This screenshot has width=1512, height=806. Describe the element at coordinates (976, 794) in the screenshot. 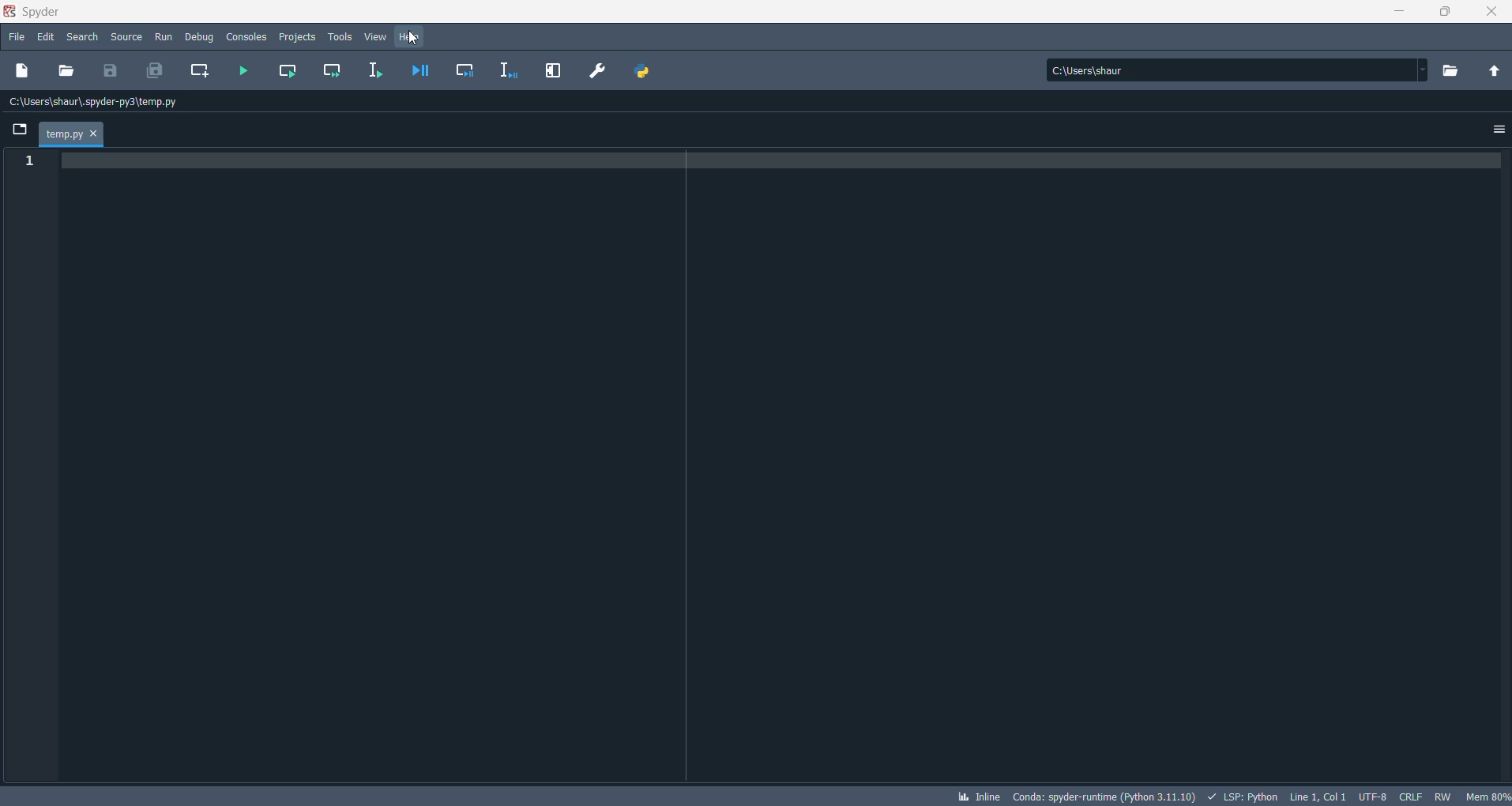

I see `INLINE` at that location.